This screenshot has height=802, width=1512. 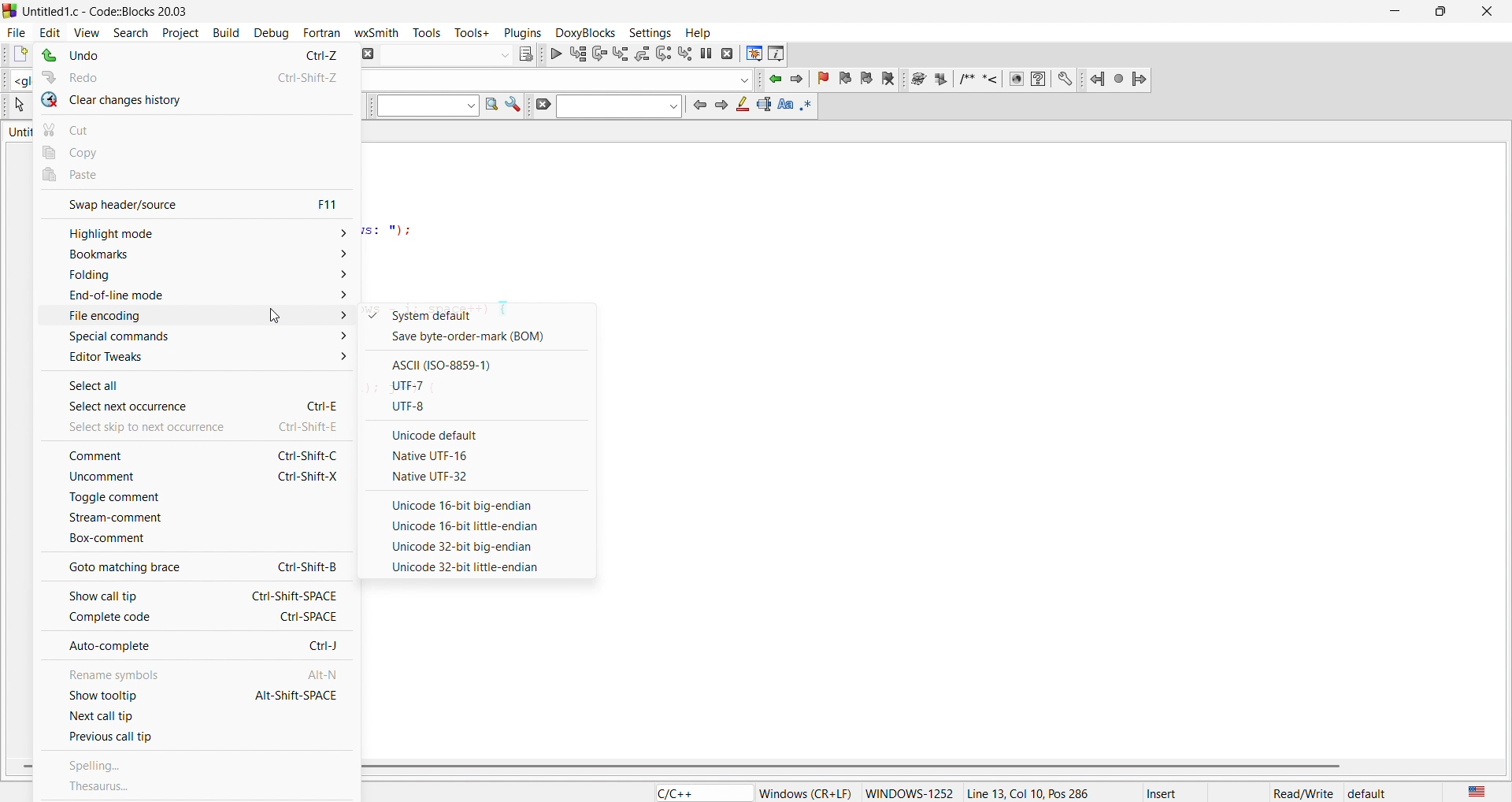 I want to click on cursor, so click(x=278, y=317).